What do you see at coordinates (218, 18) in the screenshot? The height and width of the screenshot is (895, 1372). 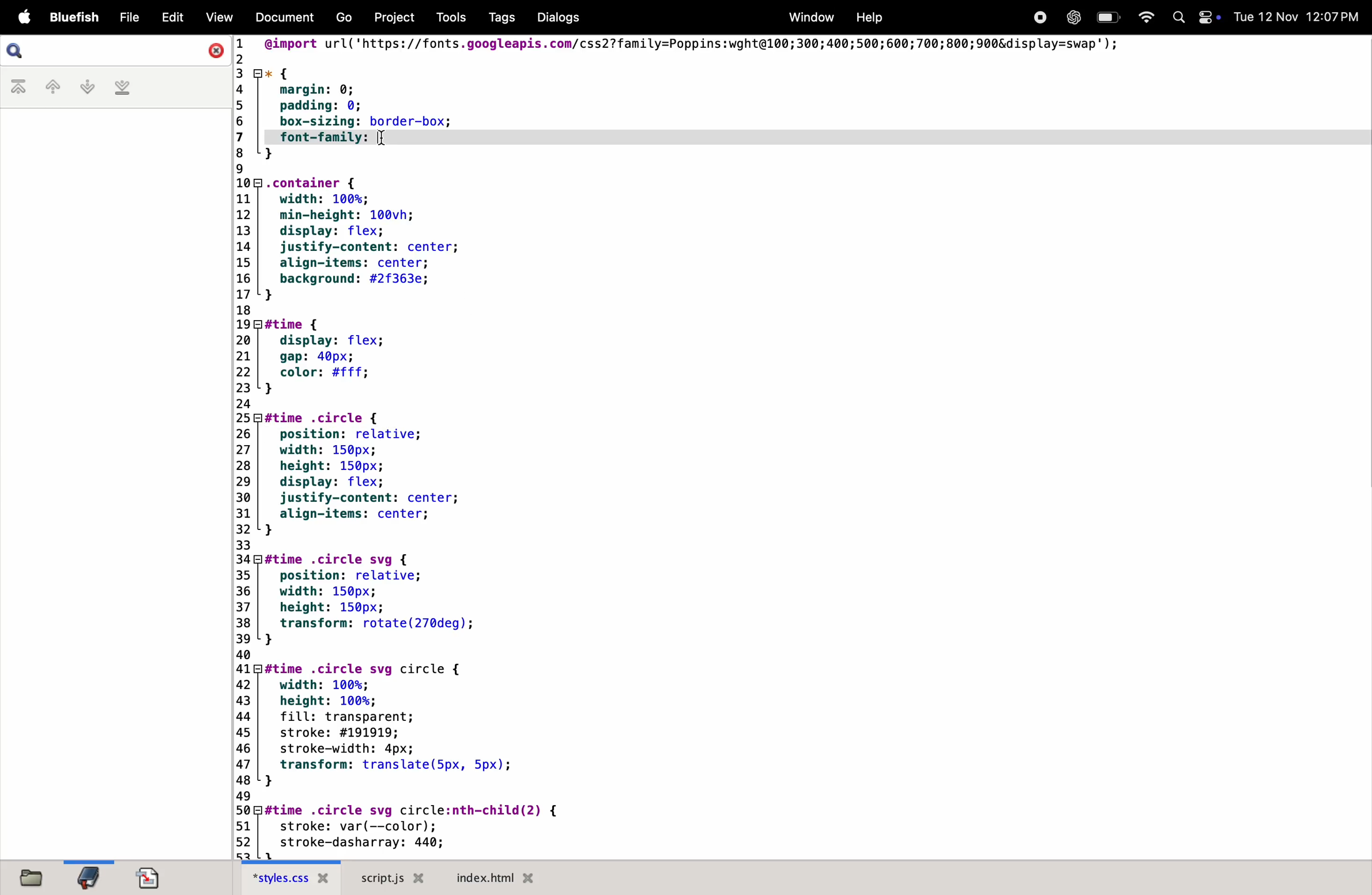 I see `view` at bounding box center [218, 18].